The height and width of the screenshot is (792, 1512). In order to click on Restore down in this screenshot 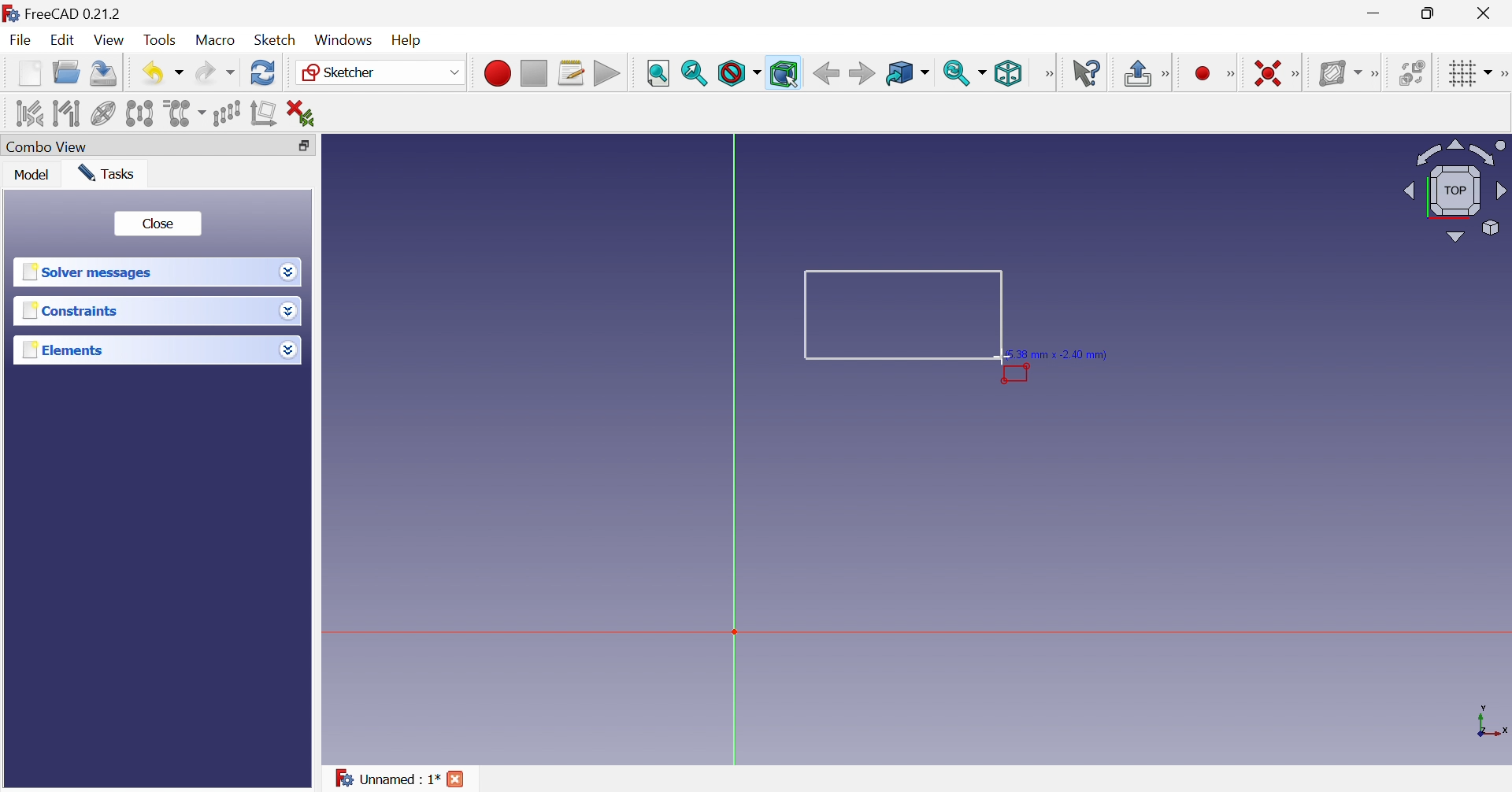, I will do `click(1432, 13)`.